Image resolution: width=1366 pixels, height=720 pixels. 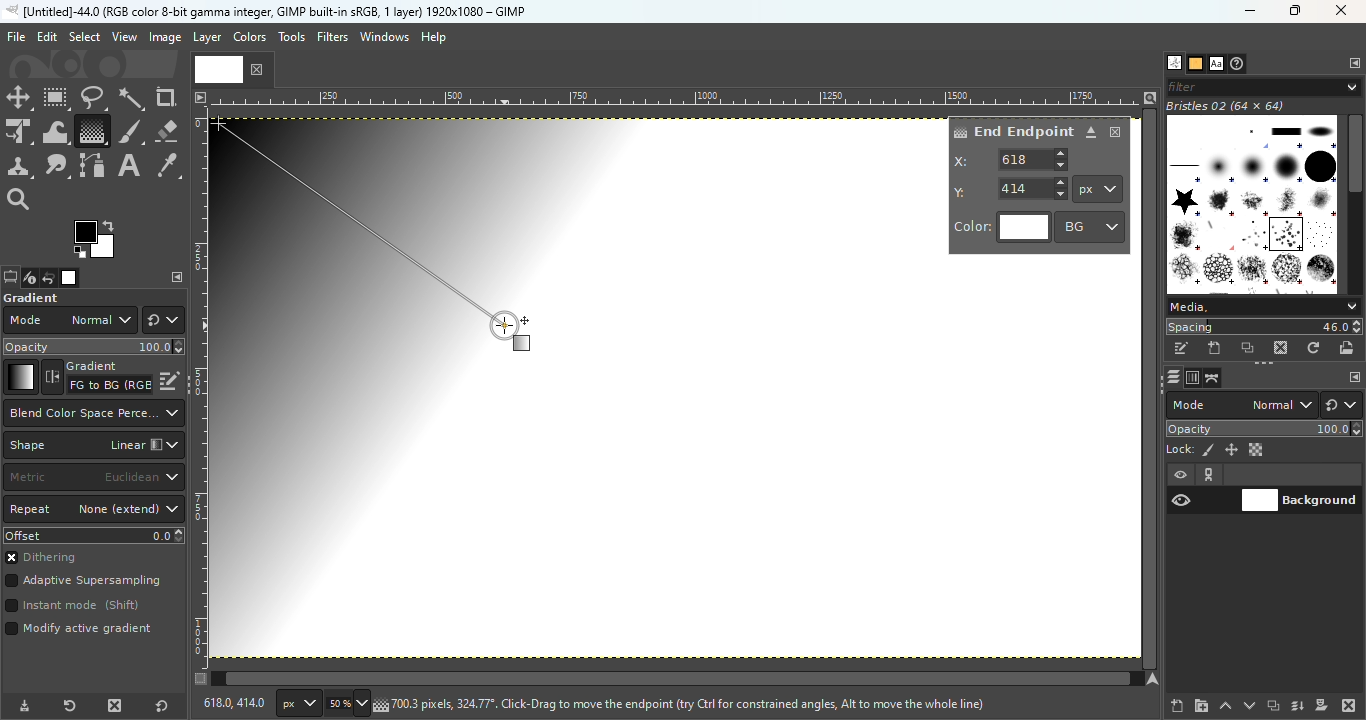 What do you see at coordinates (92, 97) in the screenshot?
I see `Free select tool` at bounding box center [92, 97].